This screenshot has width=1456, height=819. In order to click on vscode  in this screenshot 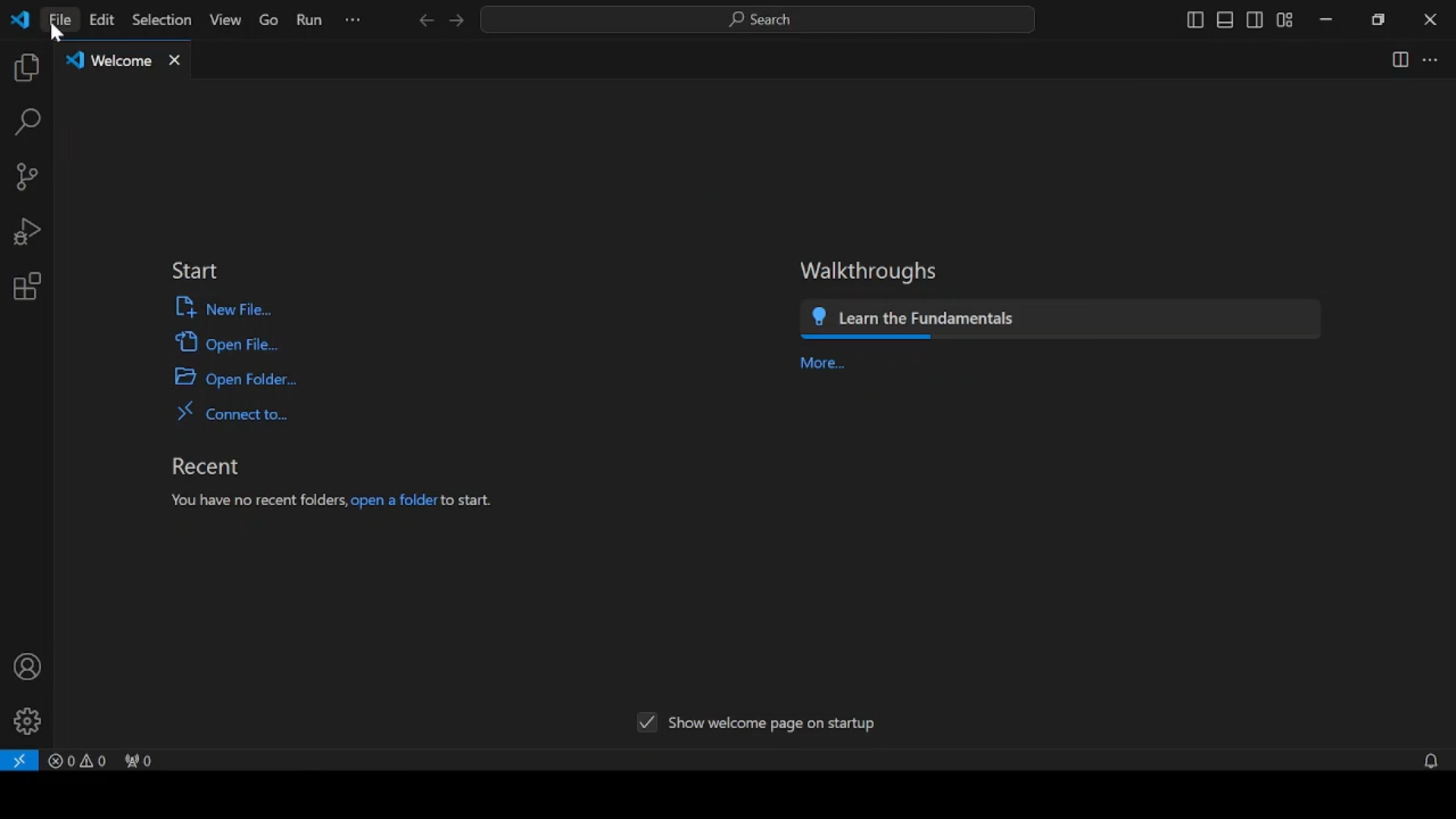, I will do `click(19, 20)`.